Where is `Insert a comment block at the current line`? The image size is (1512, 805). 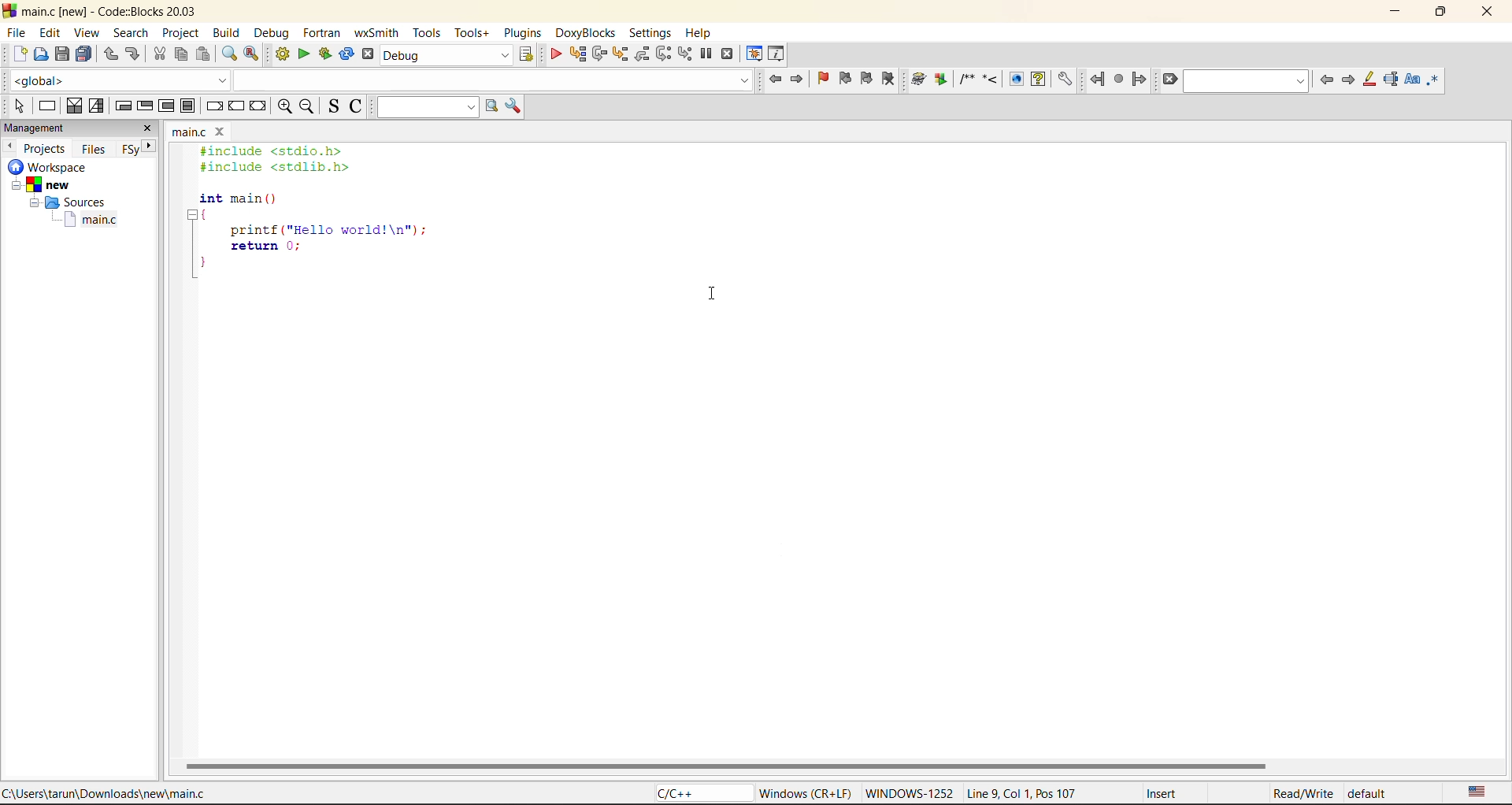 Insert a comment block at the current line is located at coordinates (966, 80).